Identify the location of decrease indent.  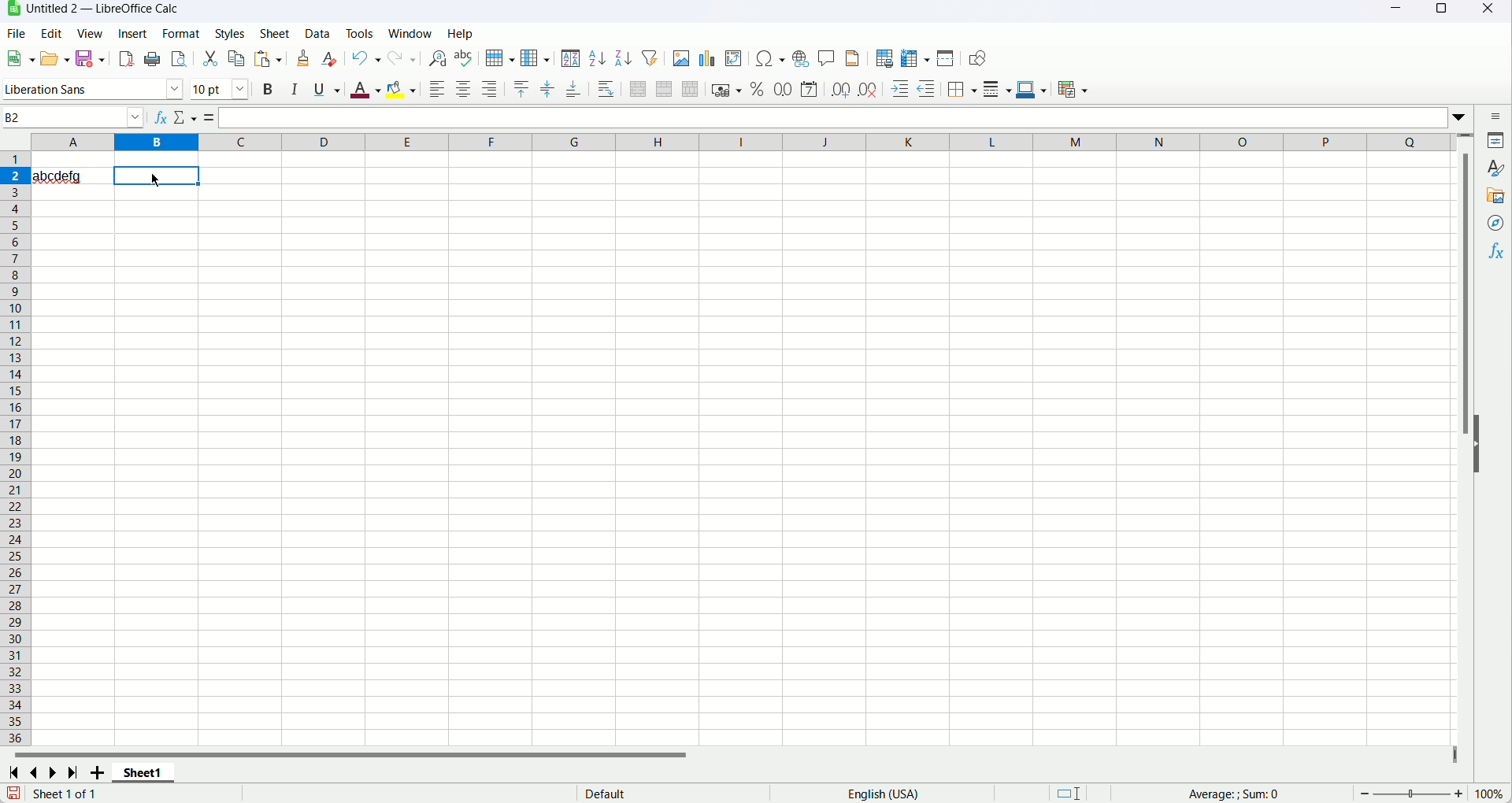
(927, 88).